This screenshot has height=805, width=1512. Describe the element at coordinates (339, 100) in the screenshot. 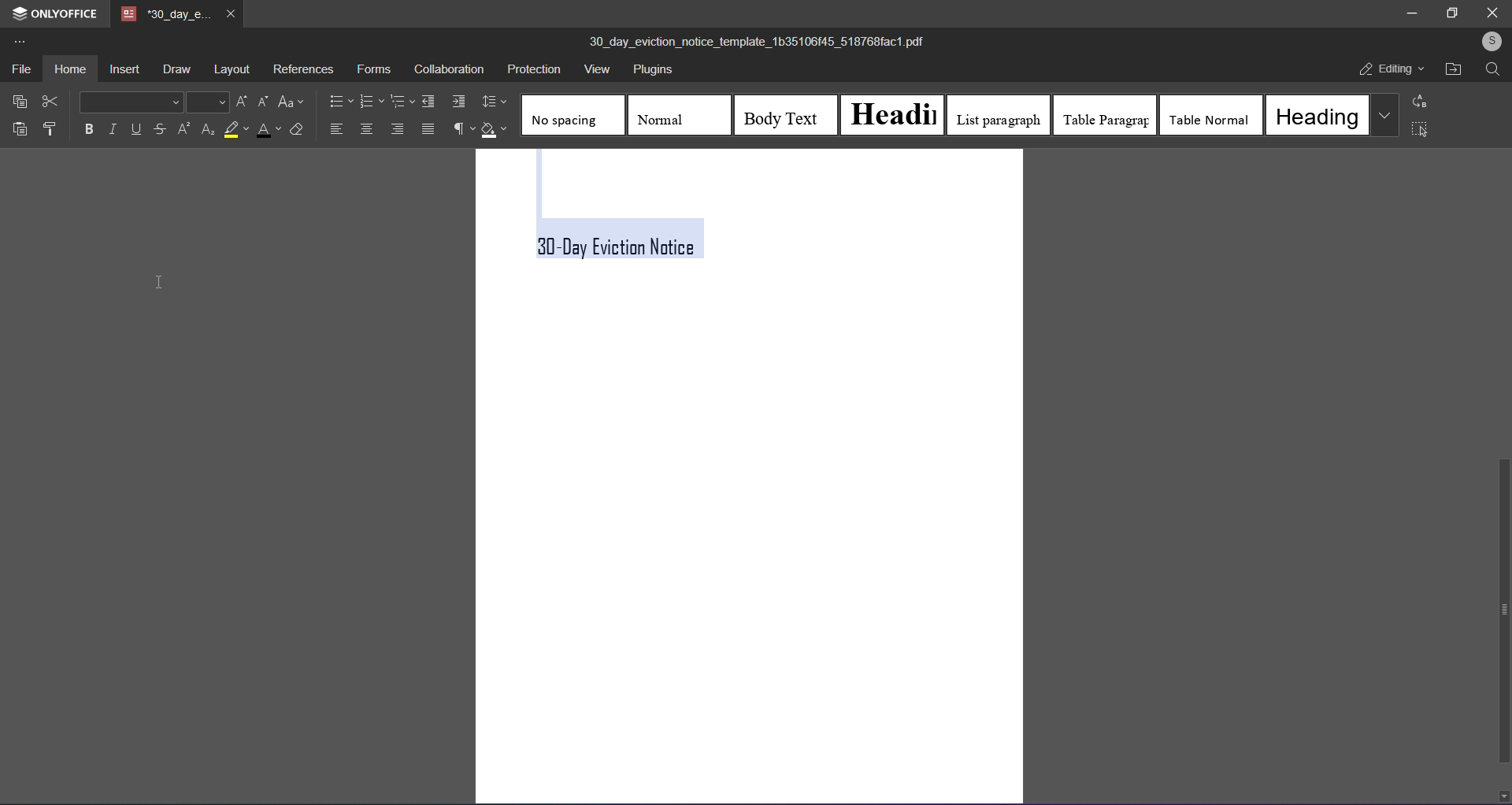

I see `bullets` at that location.